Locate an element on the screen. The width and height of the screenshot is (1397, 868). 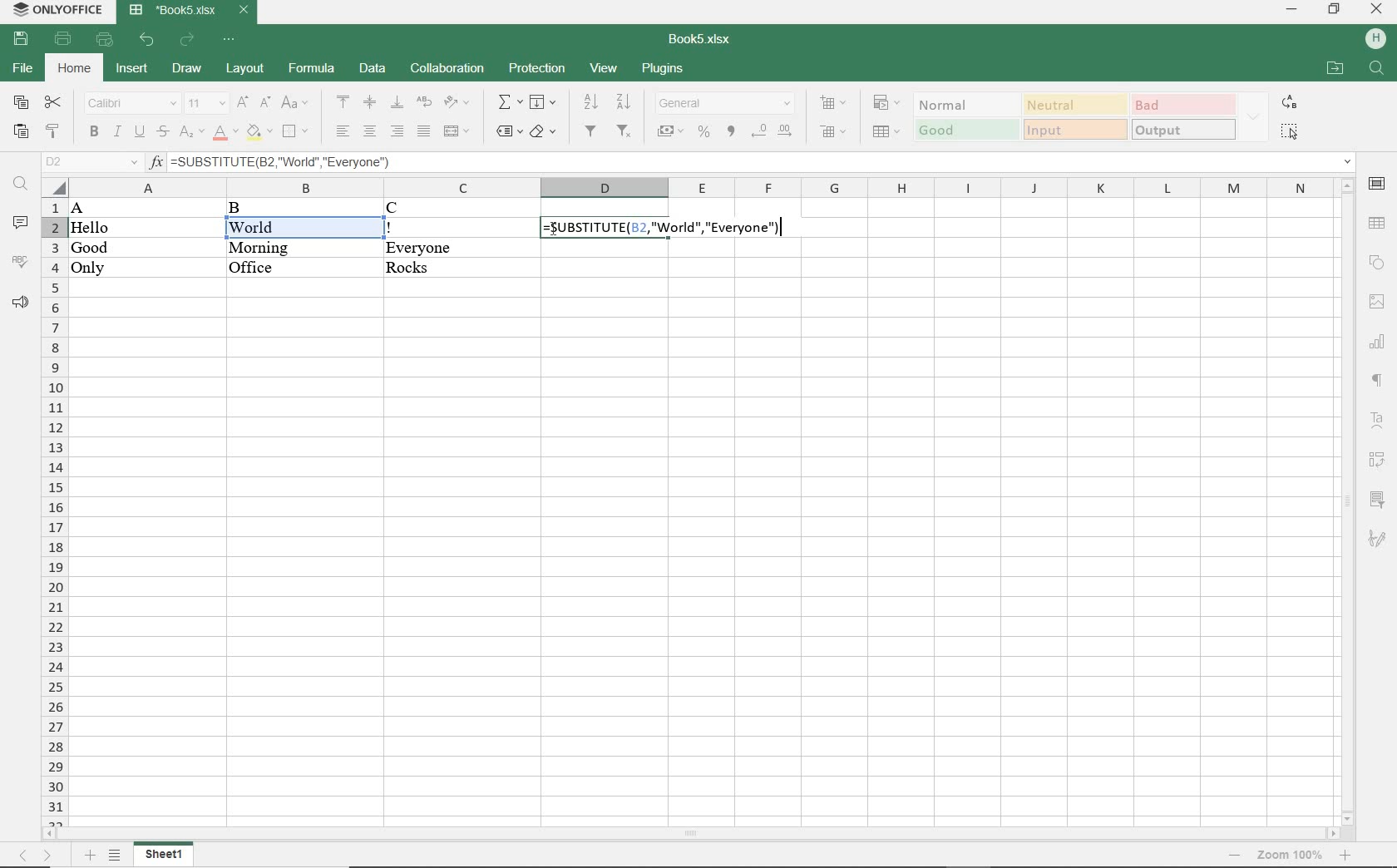
cell settings is located at coordinates (1377, 184).